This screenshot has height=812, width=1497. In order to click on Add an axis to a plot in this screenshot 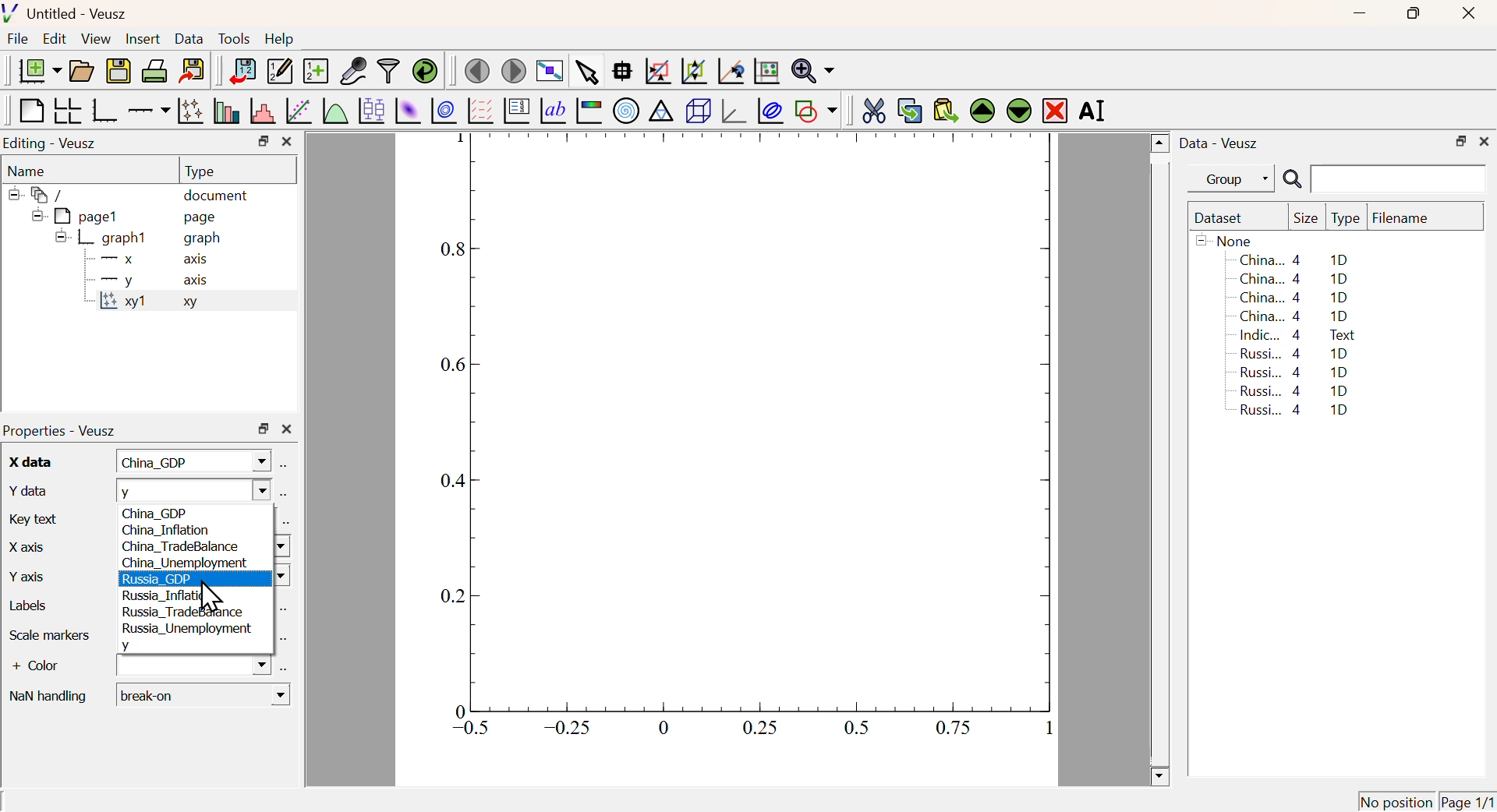, I will do `click(148, 112)`.